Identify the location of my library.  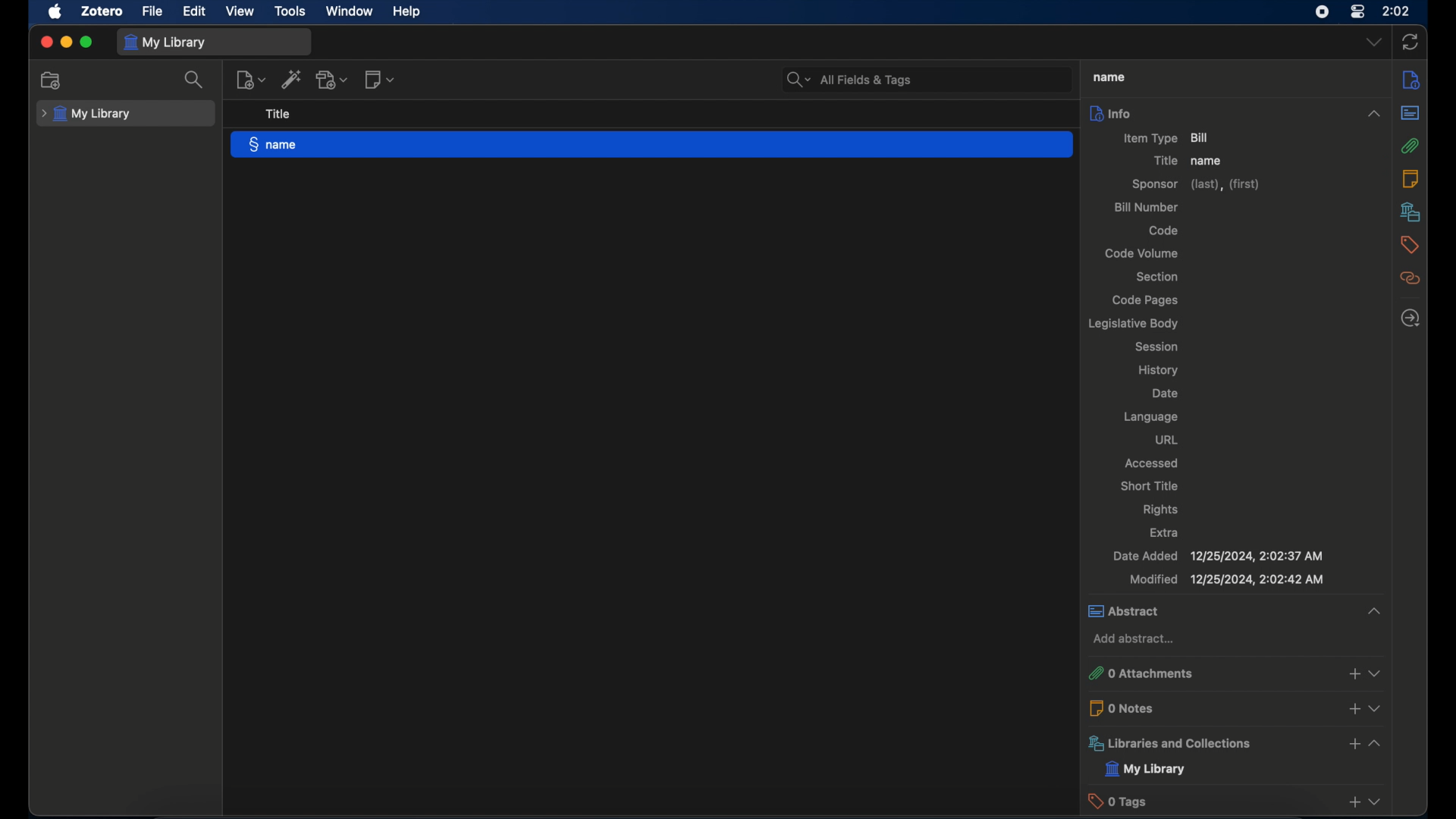
(164, 42).